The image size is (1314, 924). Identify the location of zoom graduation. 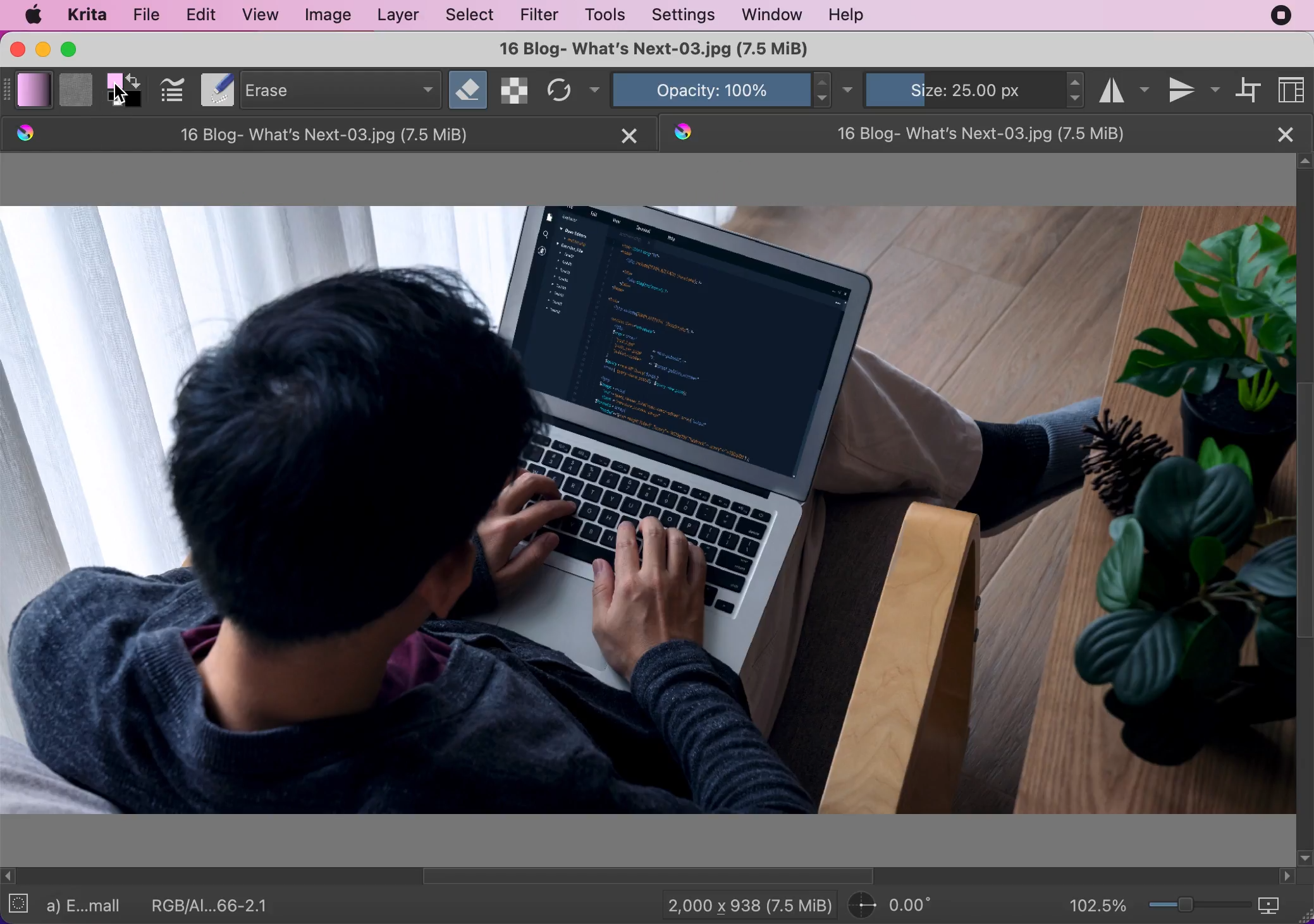
(1196, 903).